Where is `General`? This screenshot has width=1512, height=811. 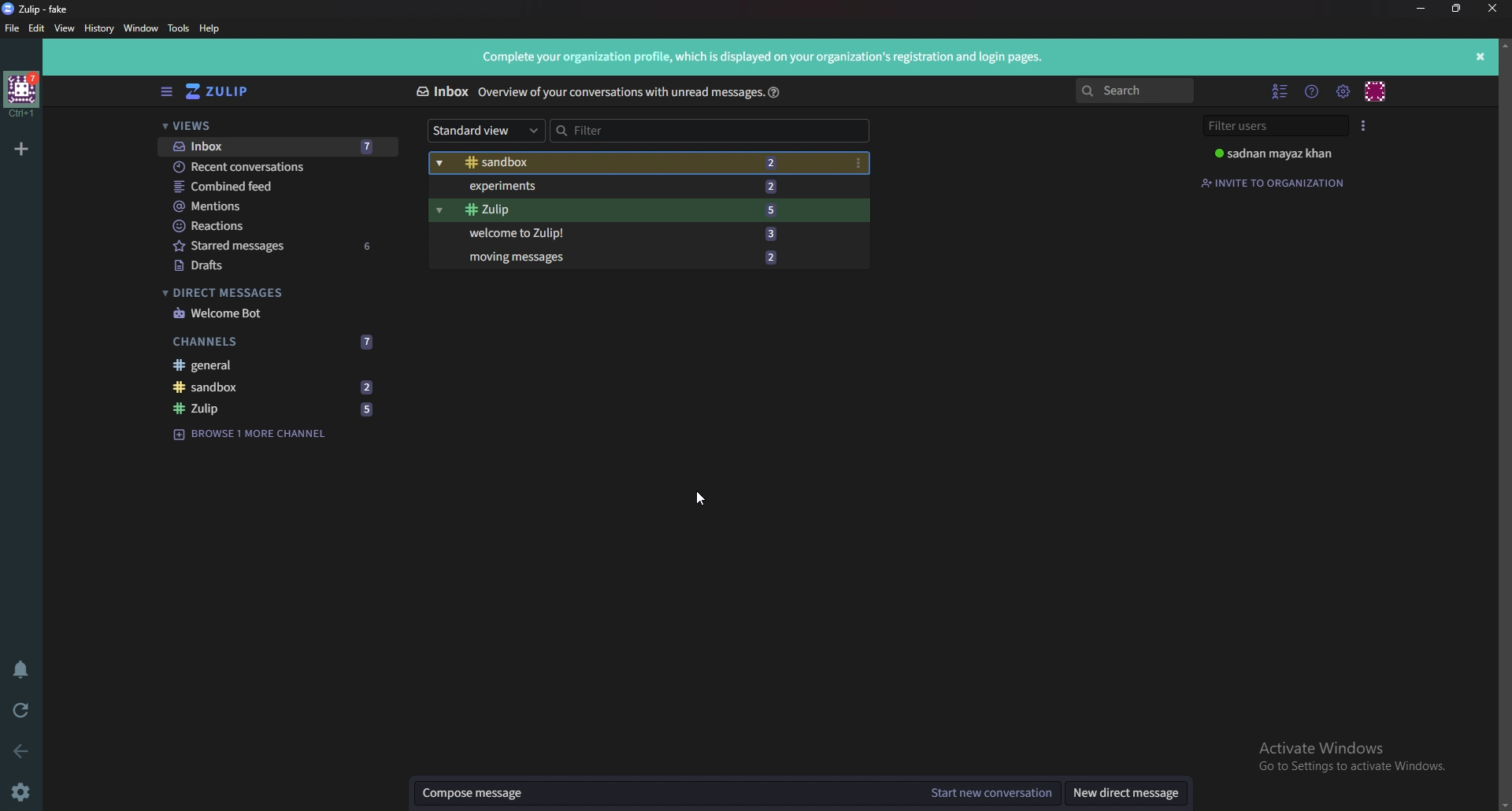 General is located at coordinates (271, 366).